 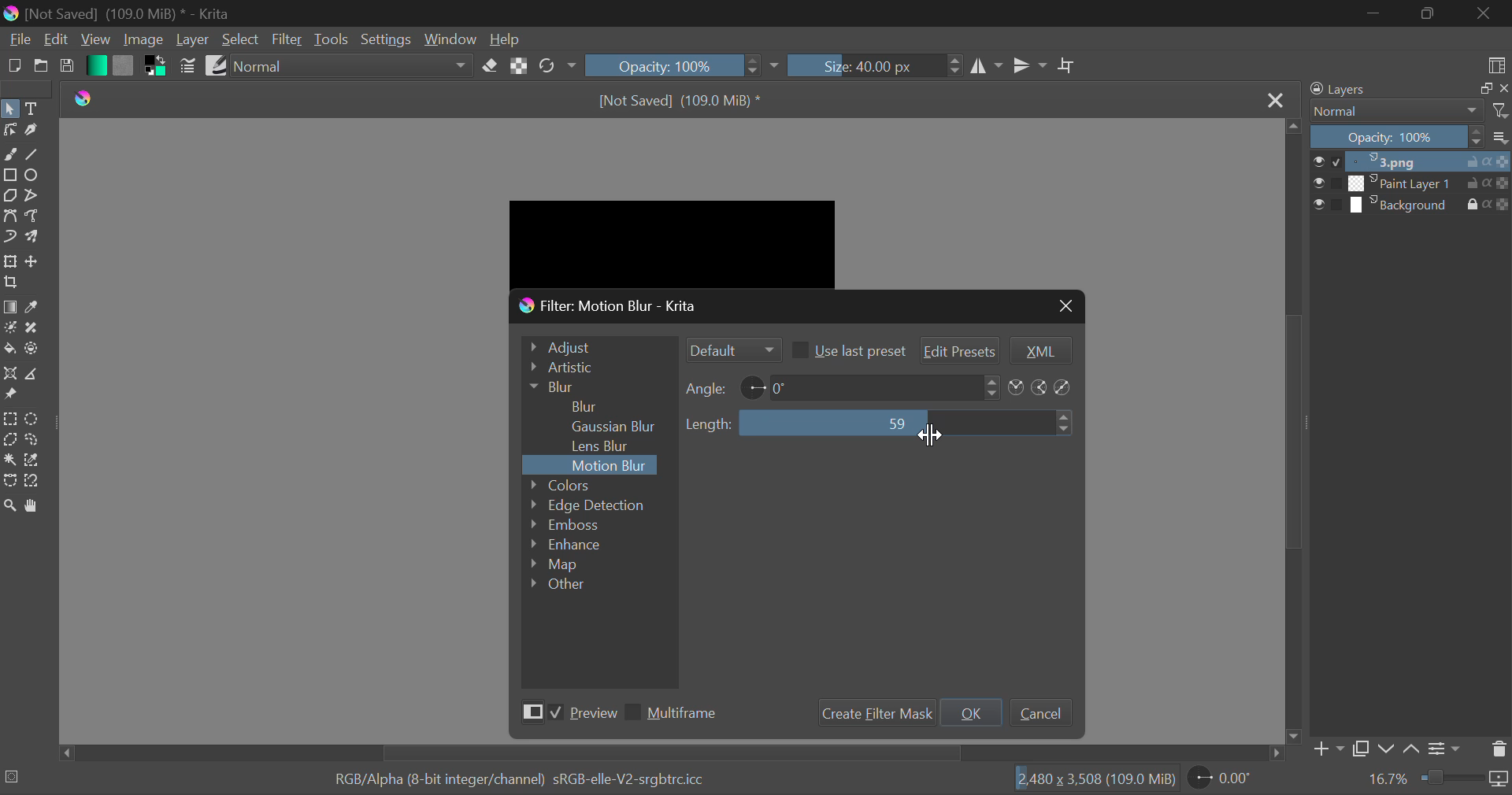 I want to click on Smart Patch Tool, so click(x=30, y=330).